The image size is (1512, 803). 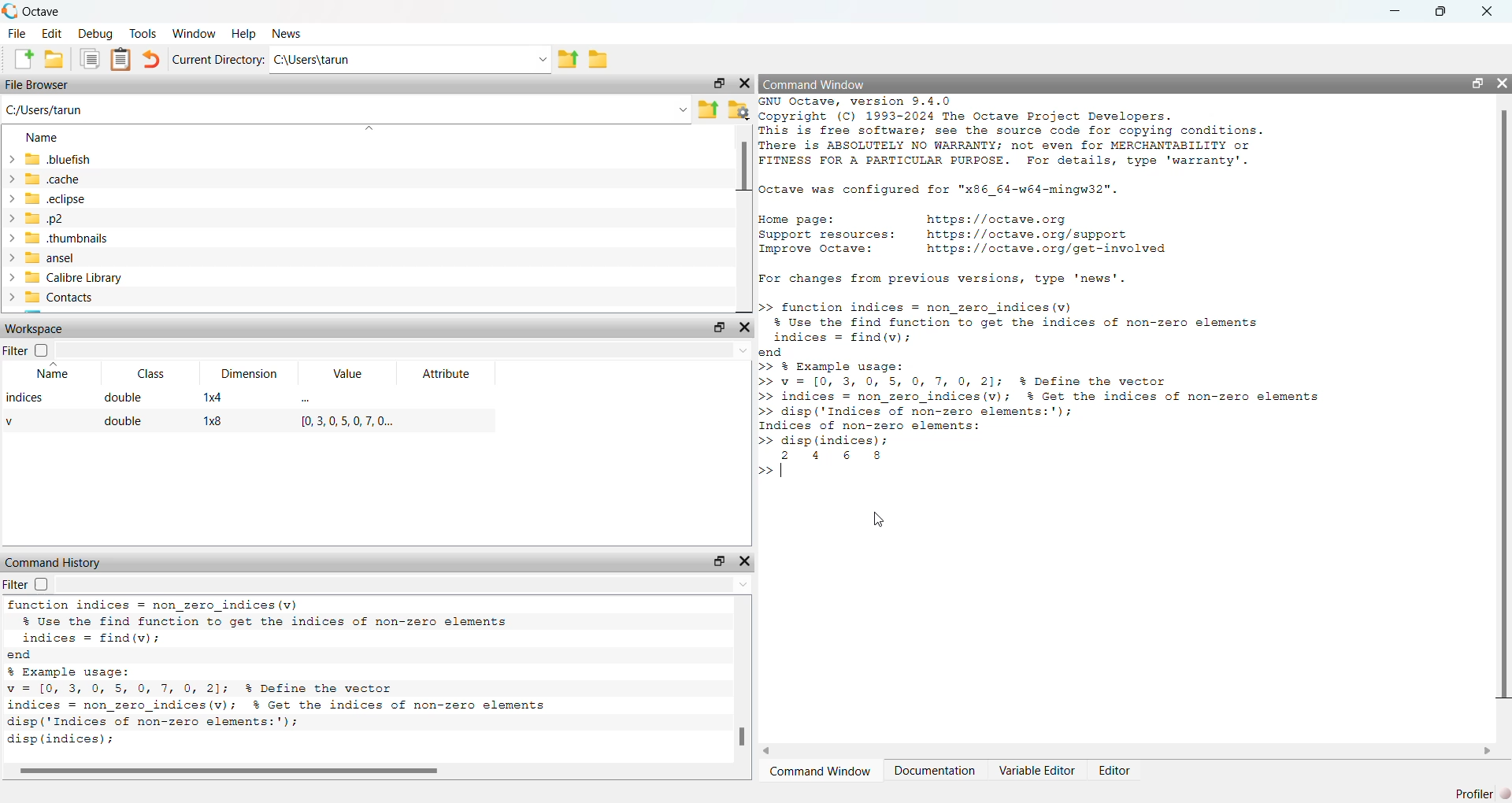 What do you see at coordinates (141, 34) in the screenshot?
I see `Tools` at bounding box center [141, 34].